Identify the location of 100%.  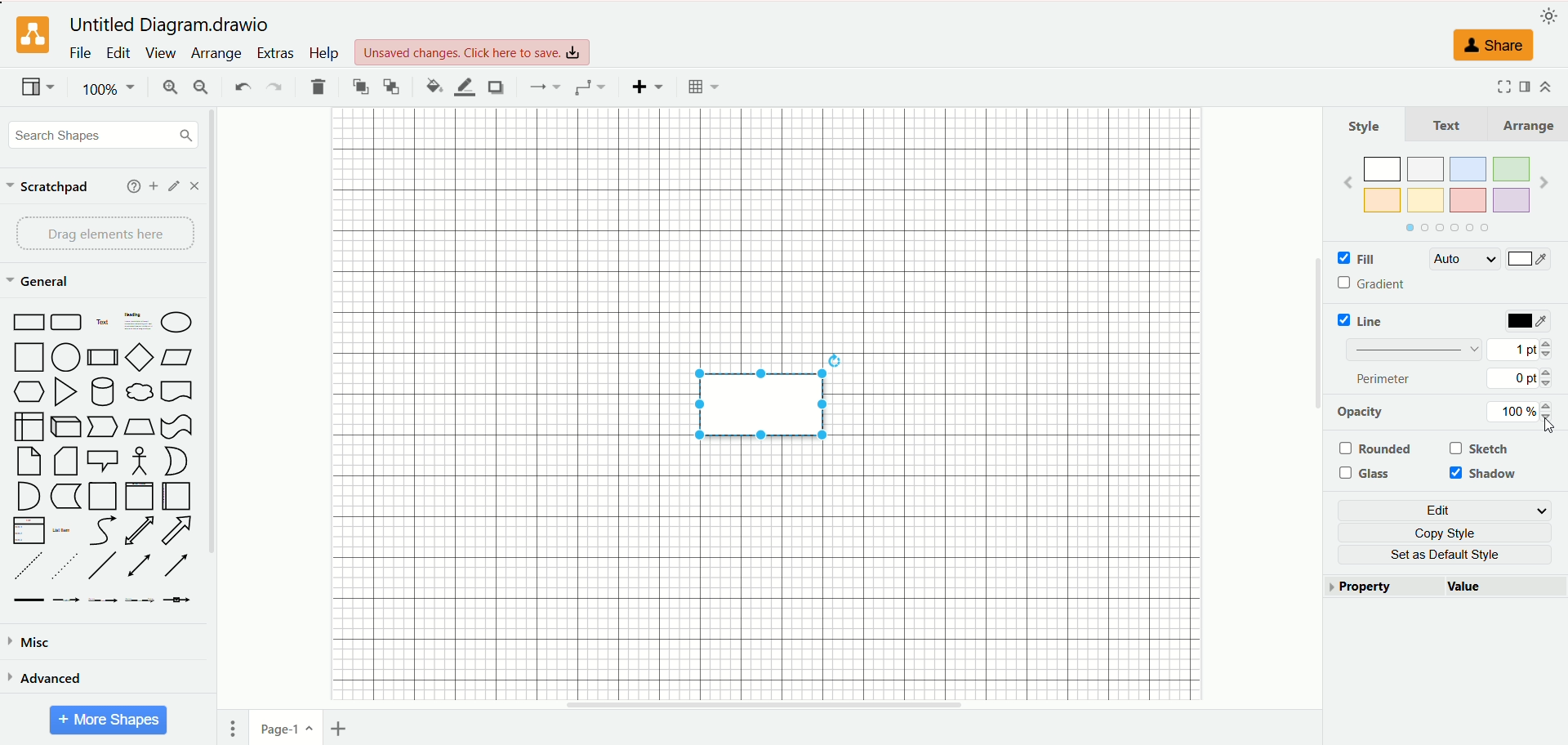
(1525, 412).